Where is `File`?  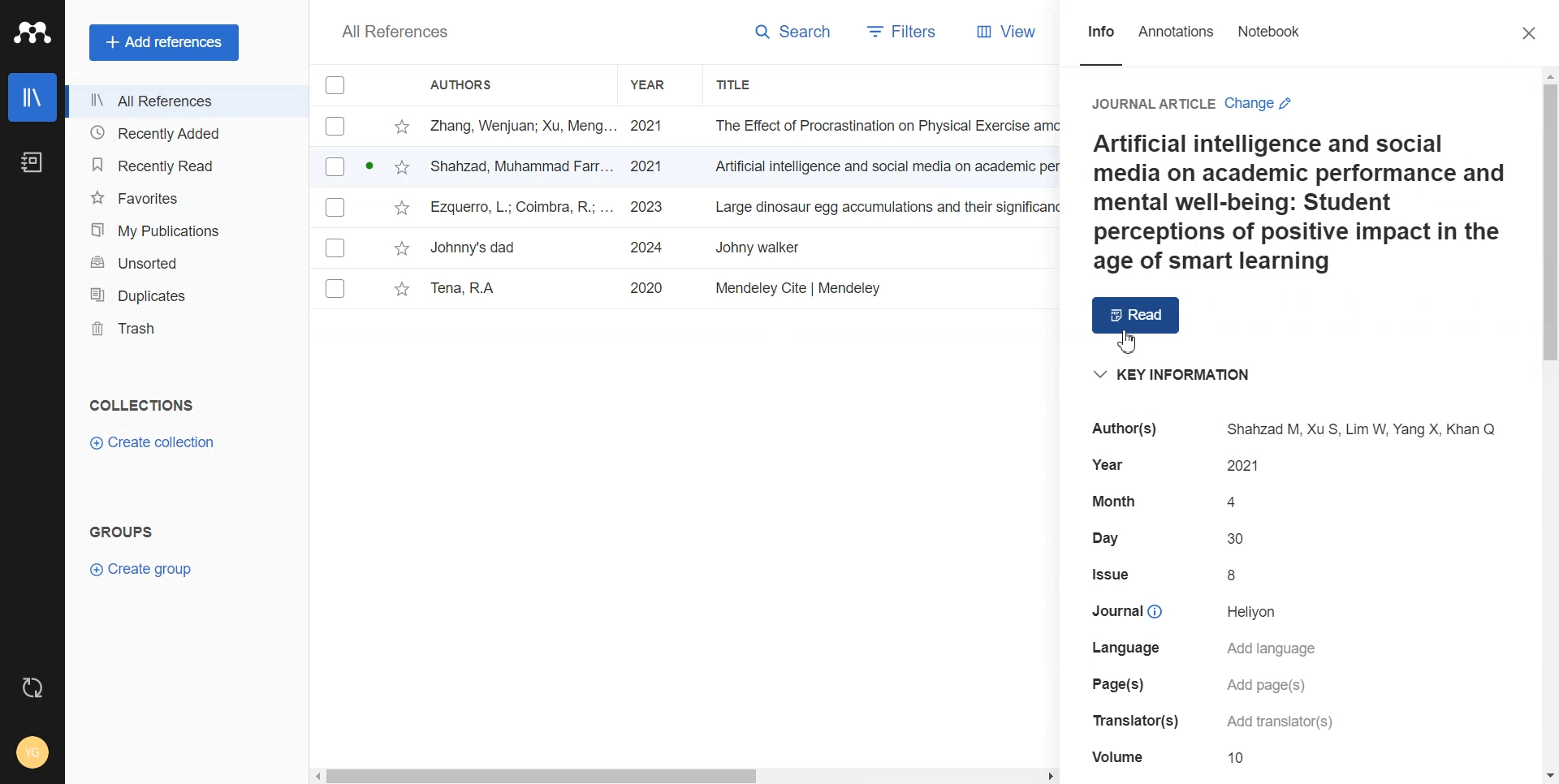 File is located at coordinates (686, 126).